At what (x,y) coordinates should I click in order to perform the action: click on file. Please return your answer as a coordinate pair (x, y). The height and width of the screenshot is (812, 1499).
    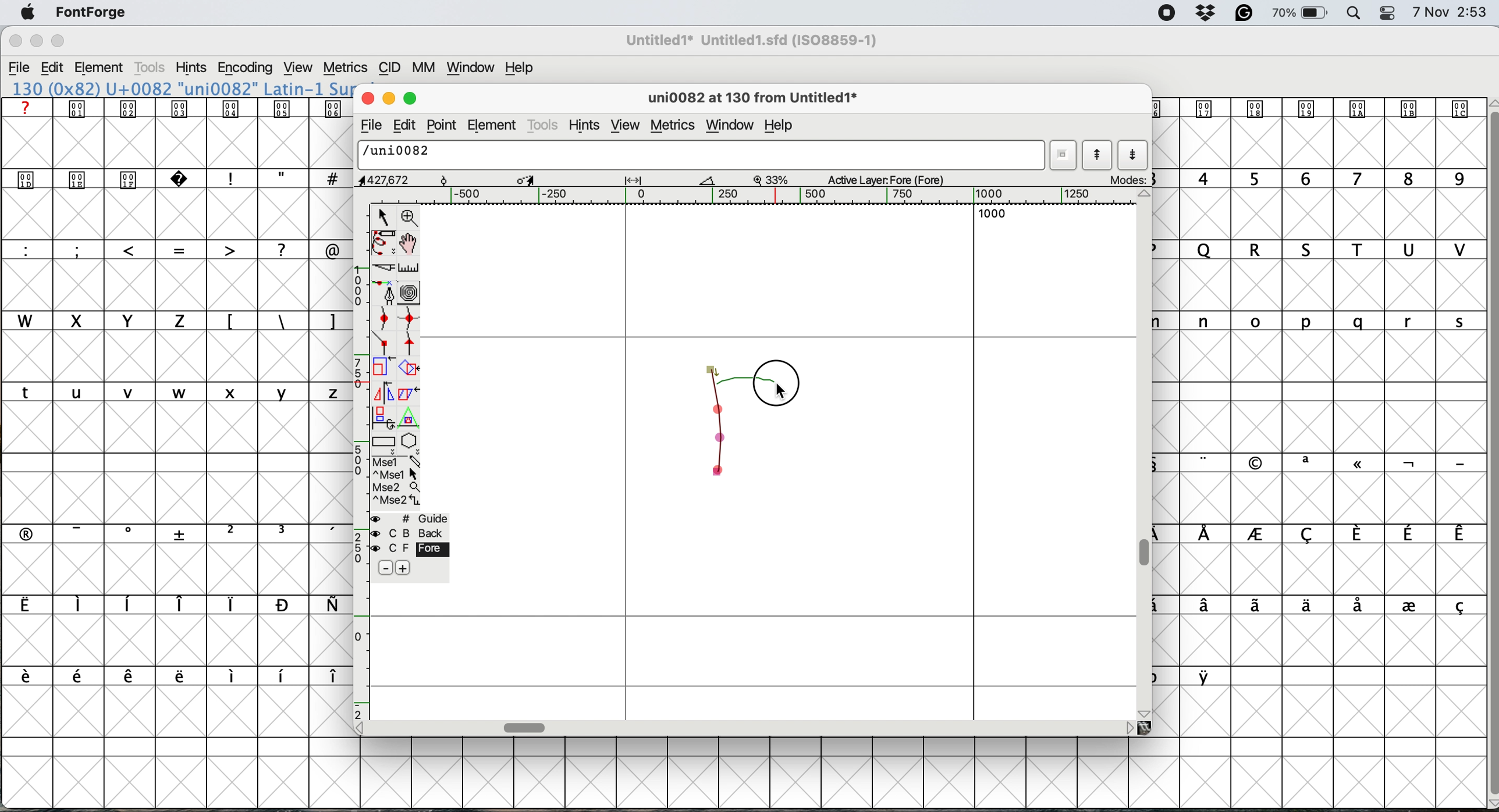
    Looking at the image, I should click on (369, 127).